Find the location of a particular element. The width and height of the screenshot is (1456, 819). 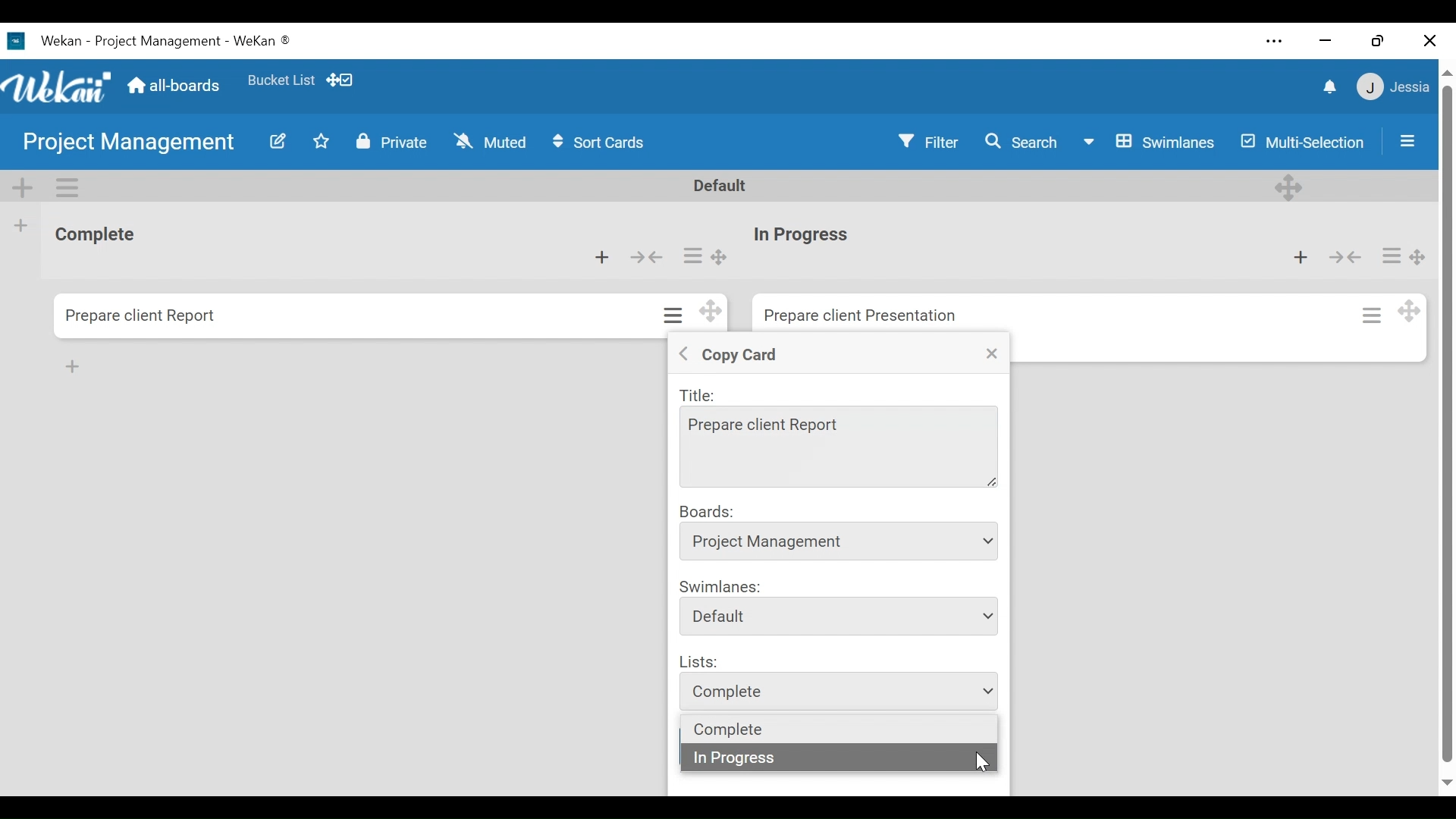

Restore is located at coordinates (1380, 39).